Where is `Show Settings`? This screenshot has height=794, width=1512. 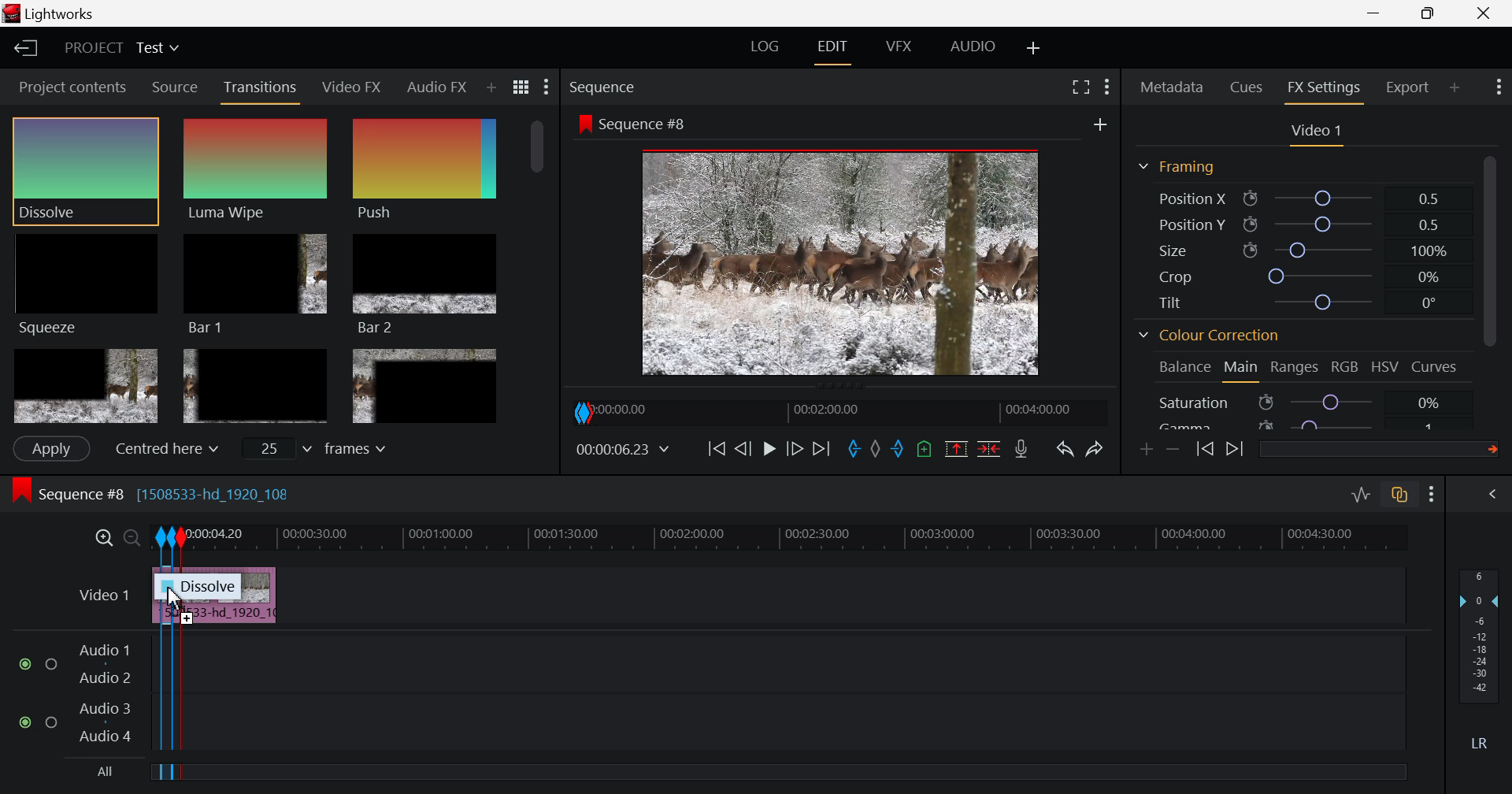 Show Settings is located at coordinates (1497, 87).